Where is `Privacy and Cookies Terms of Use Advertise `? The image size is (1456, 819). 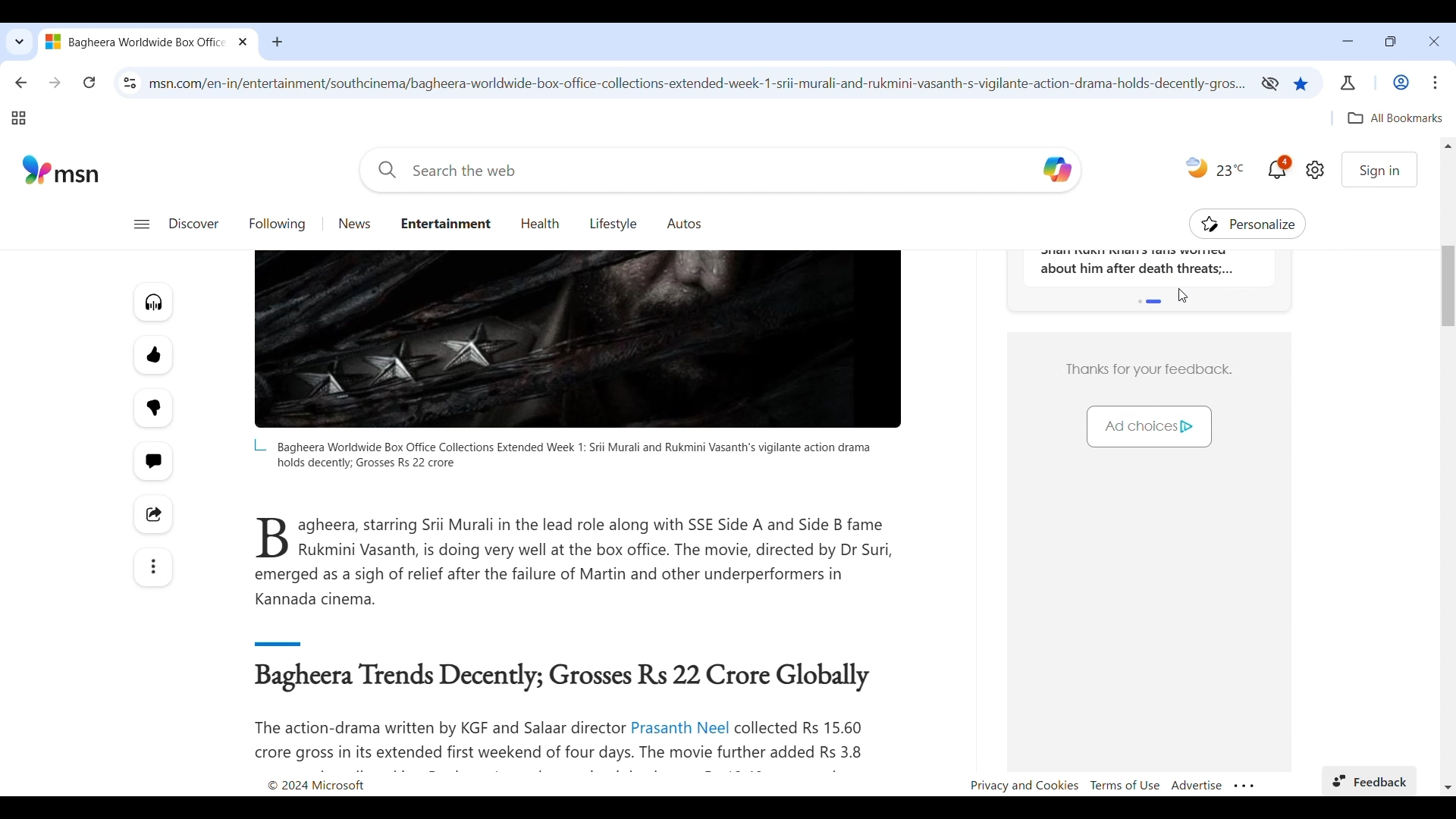 Privacy and Cookies Terms of Use Advertise  is located at coordinates (1114, 784).